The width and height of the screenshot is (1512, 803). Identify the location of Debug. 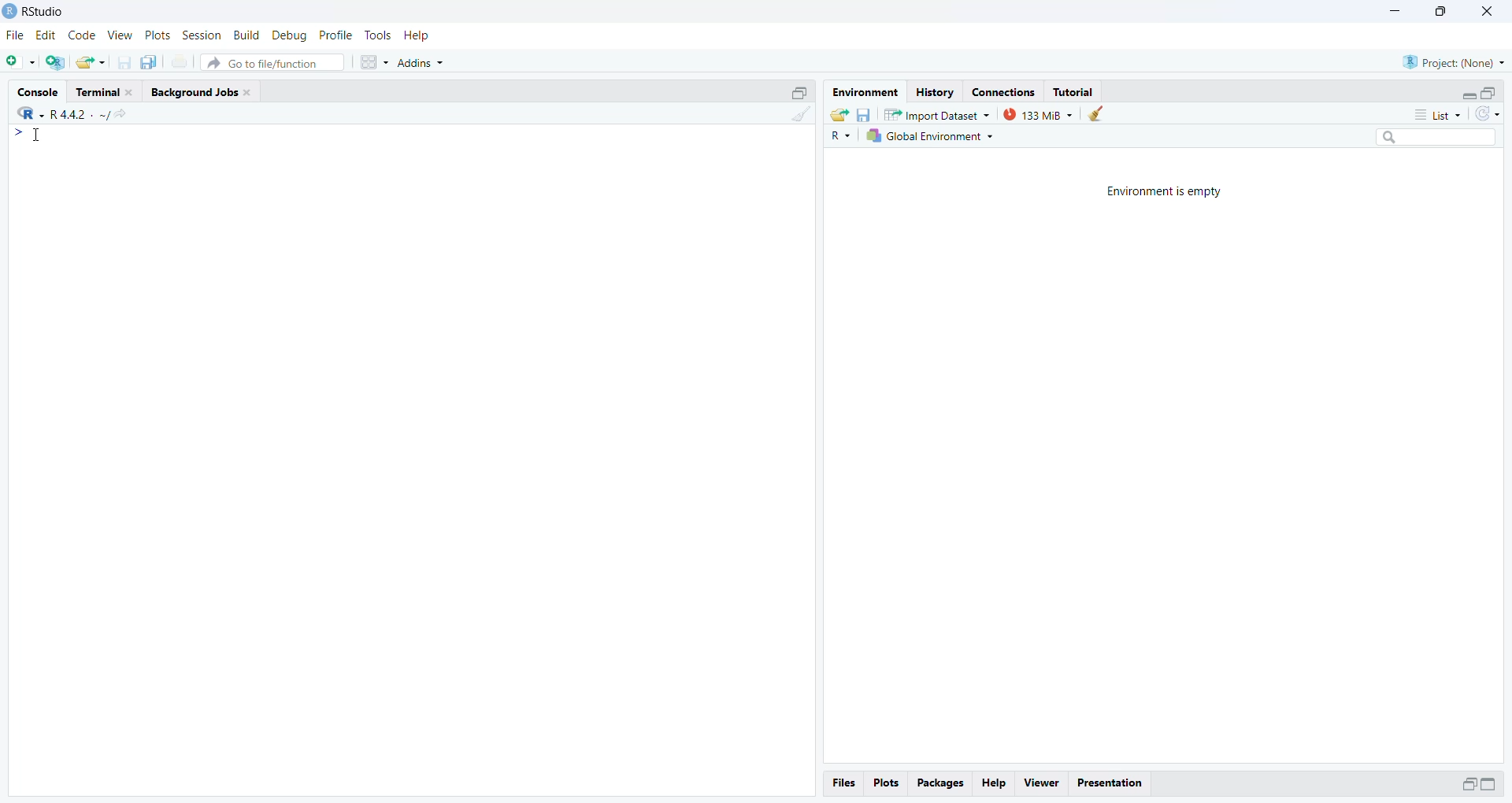
(290, 37).